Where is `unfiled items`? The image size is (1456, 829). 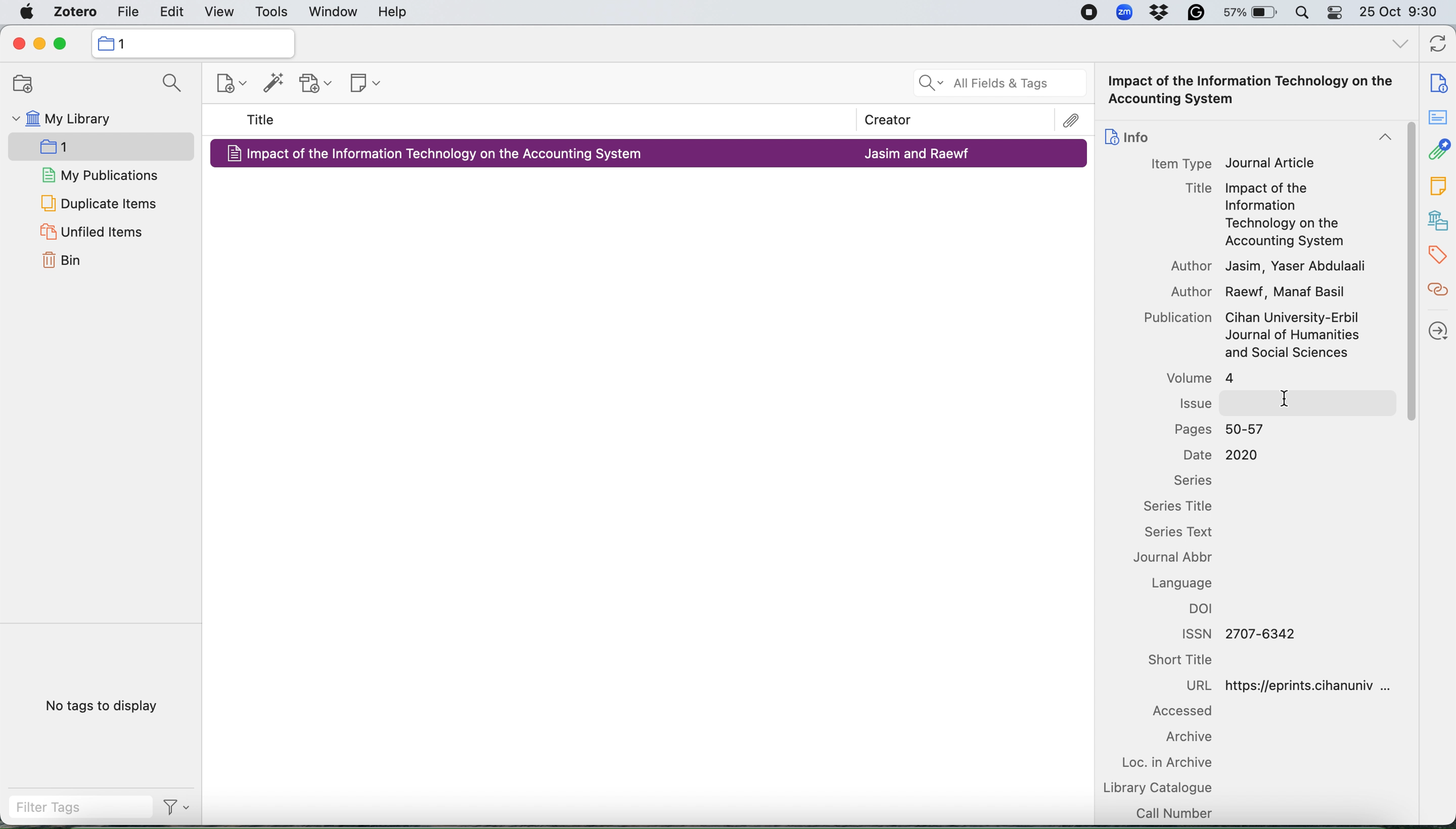
unfiled items is located at coordinates (99, 231).